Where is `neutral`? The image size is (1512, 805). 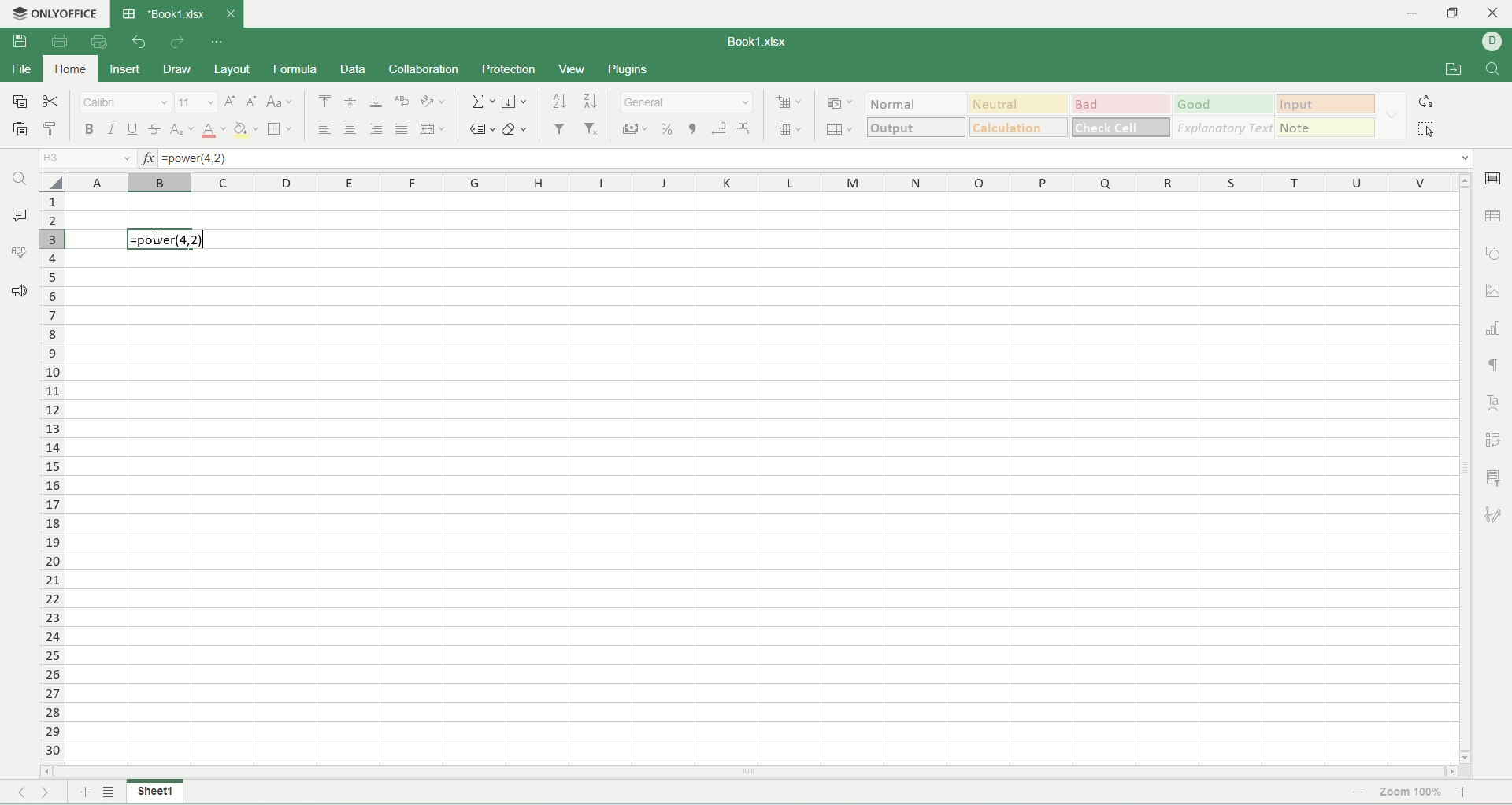
neutral is located at coordinates (1022, 105).